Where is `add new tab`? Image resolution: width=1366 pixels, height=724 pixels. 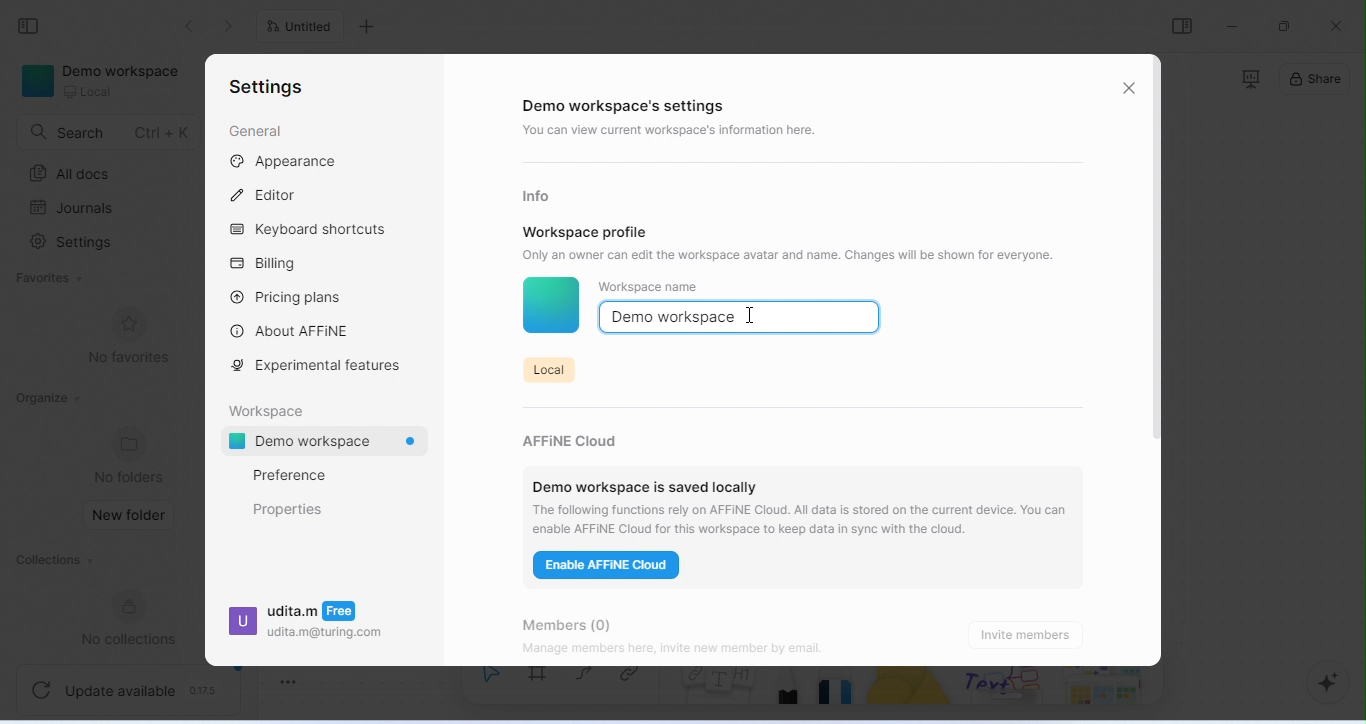 add new tab is located at coordinates (369, 27).